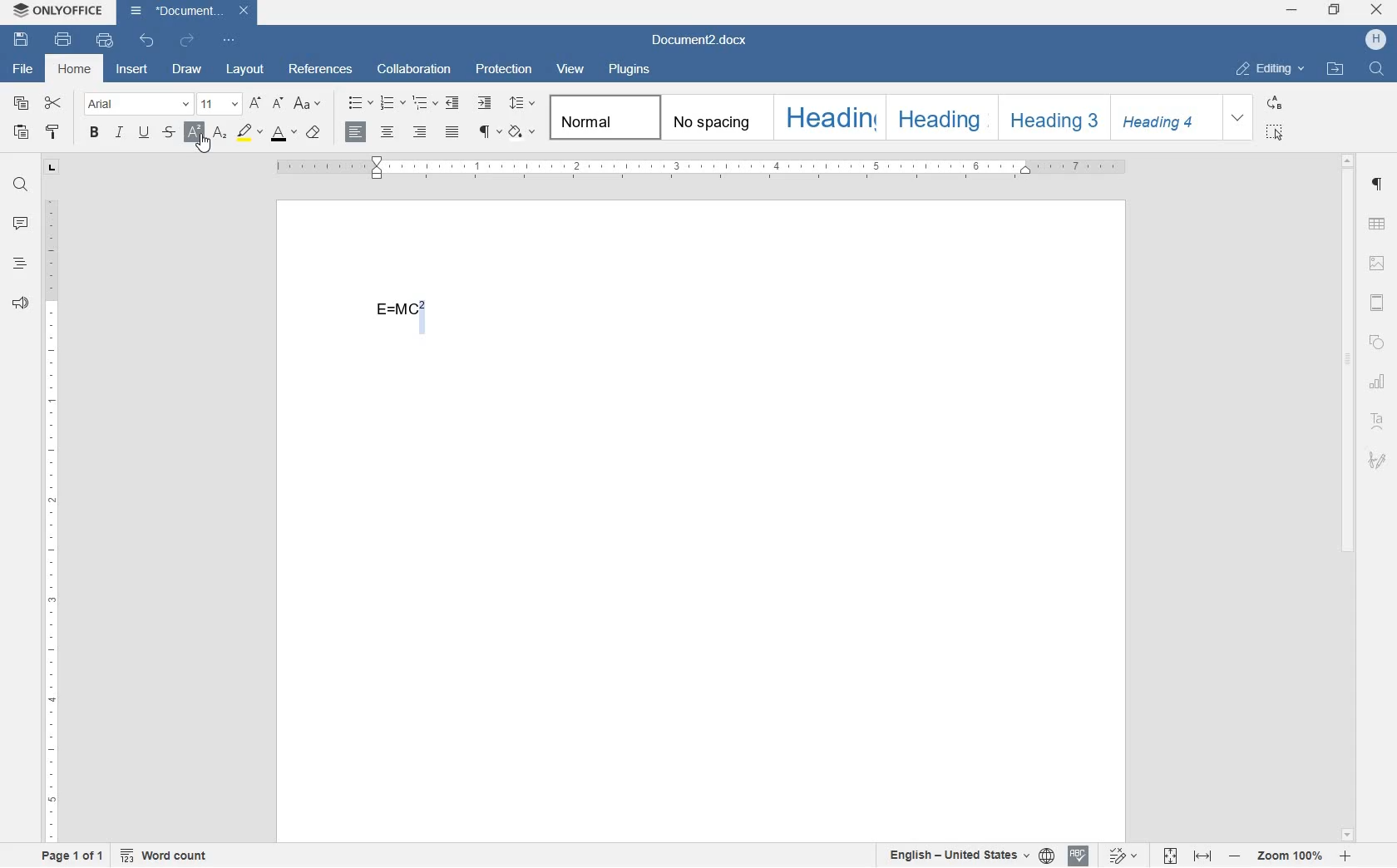 This screenshot has width=1397, height=868. I want to click on file, so click(21, 69).